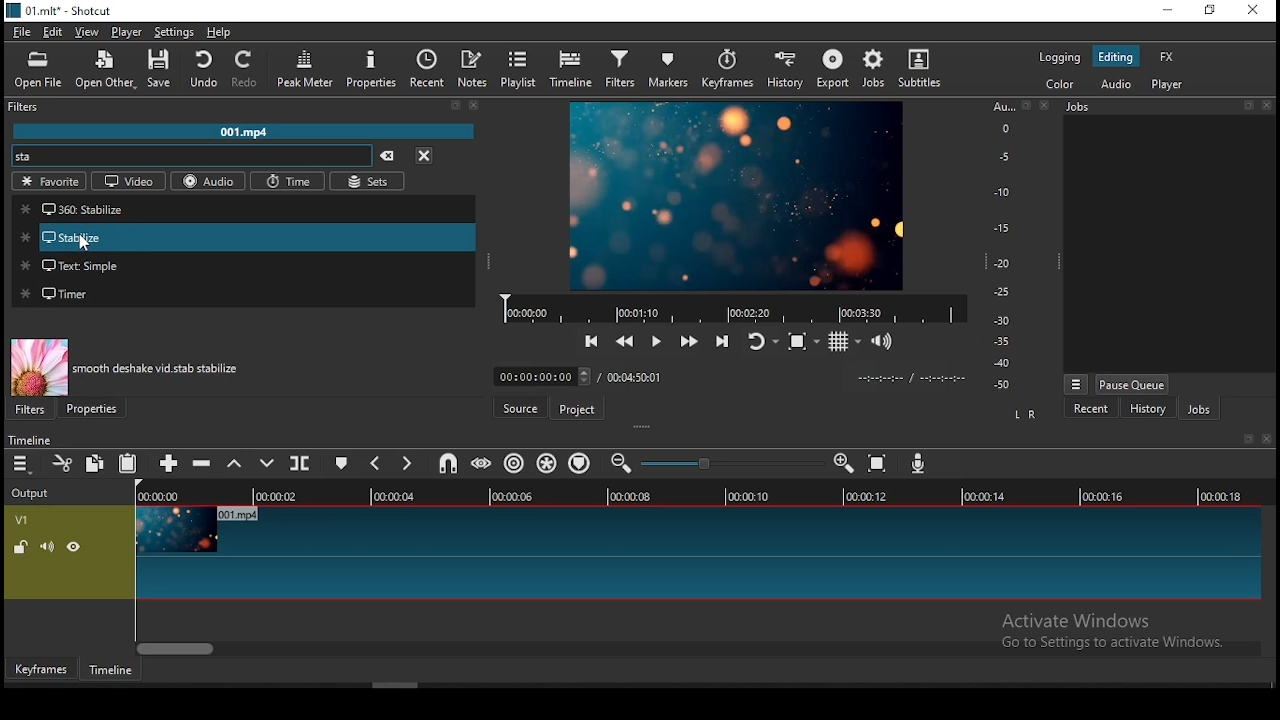 The image size is (1280, 720). Describe the element at coordinates (911, 380) in the screenshot. I see `timestamp` at that location.